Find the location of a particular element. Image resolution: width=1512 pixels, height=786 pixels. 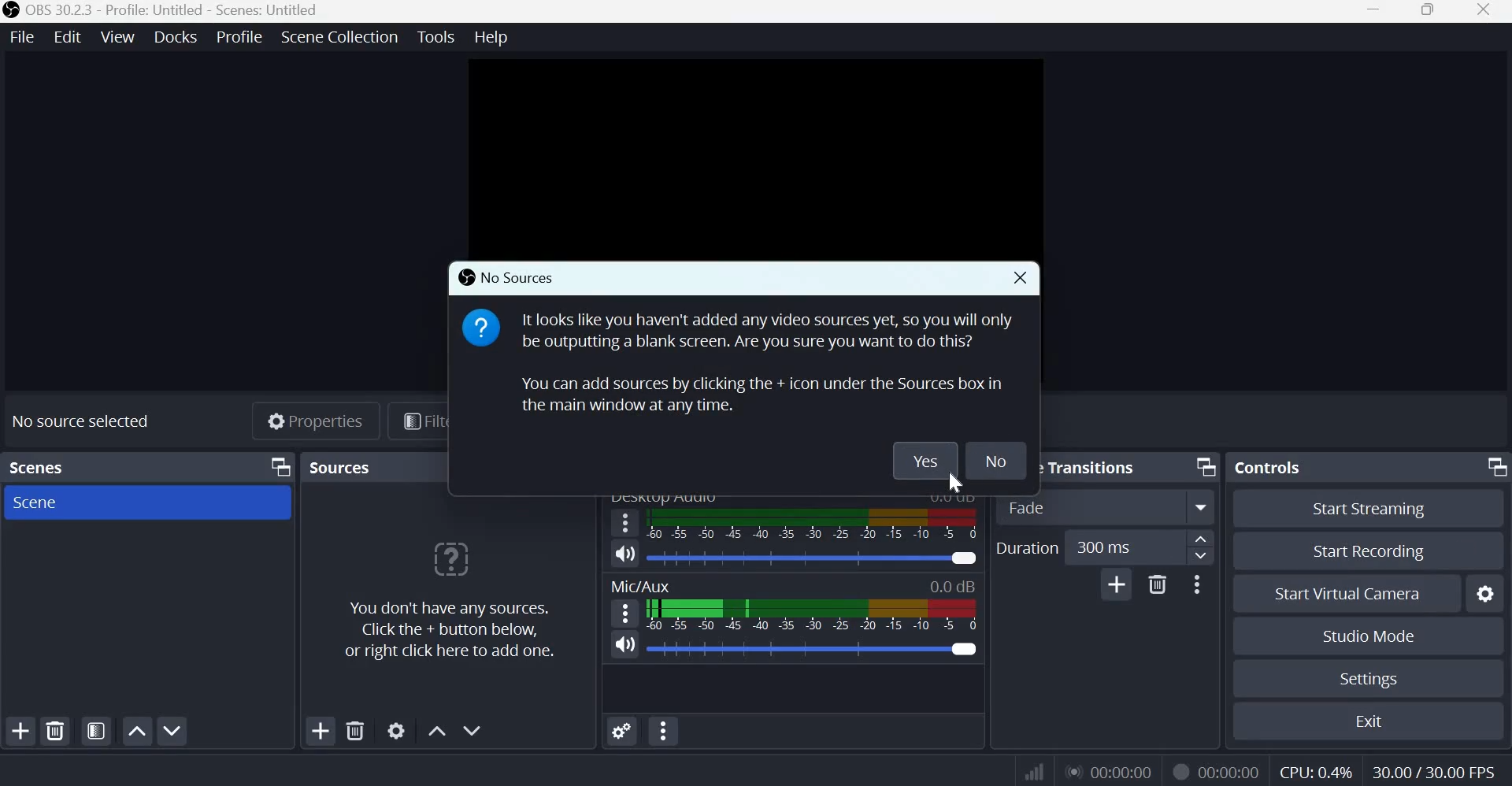

Add Transition is located at coordinates (1116, 584).